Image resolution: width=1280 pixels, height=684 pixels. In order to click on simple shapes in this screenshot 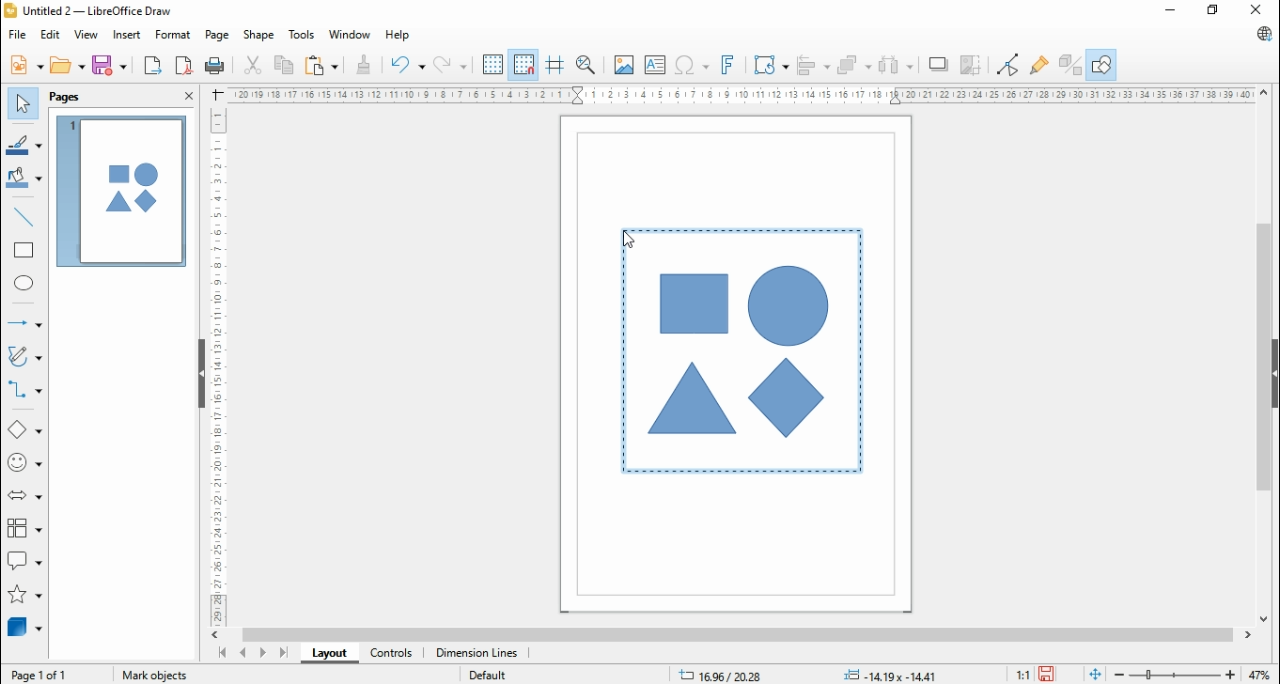, I will do `click(26, 428)`.